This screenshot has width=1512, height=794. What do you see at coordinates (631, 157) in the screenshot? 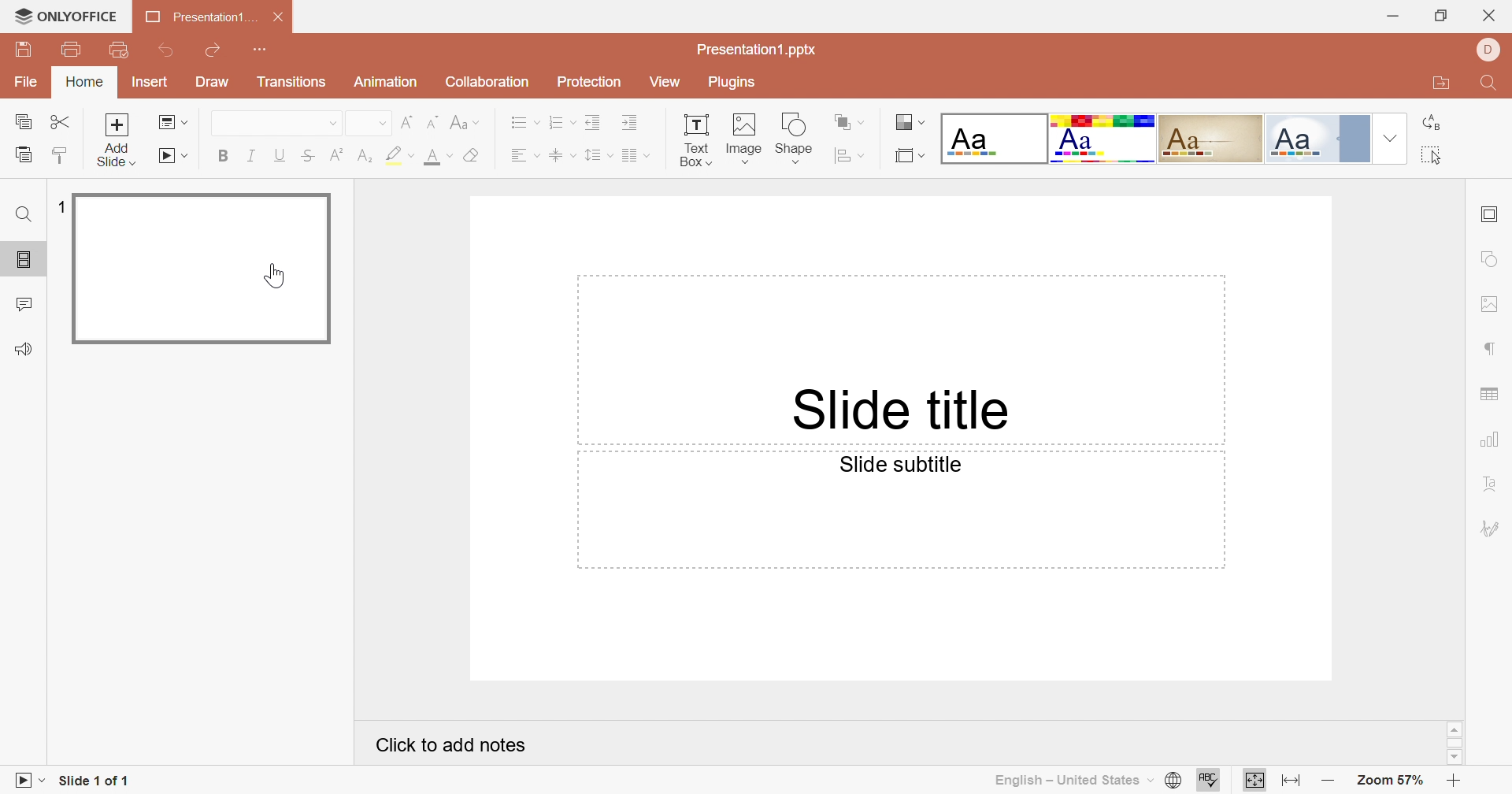
I see `Insert Columns` at bounding box center [631, 157].